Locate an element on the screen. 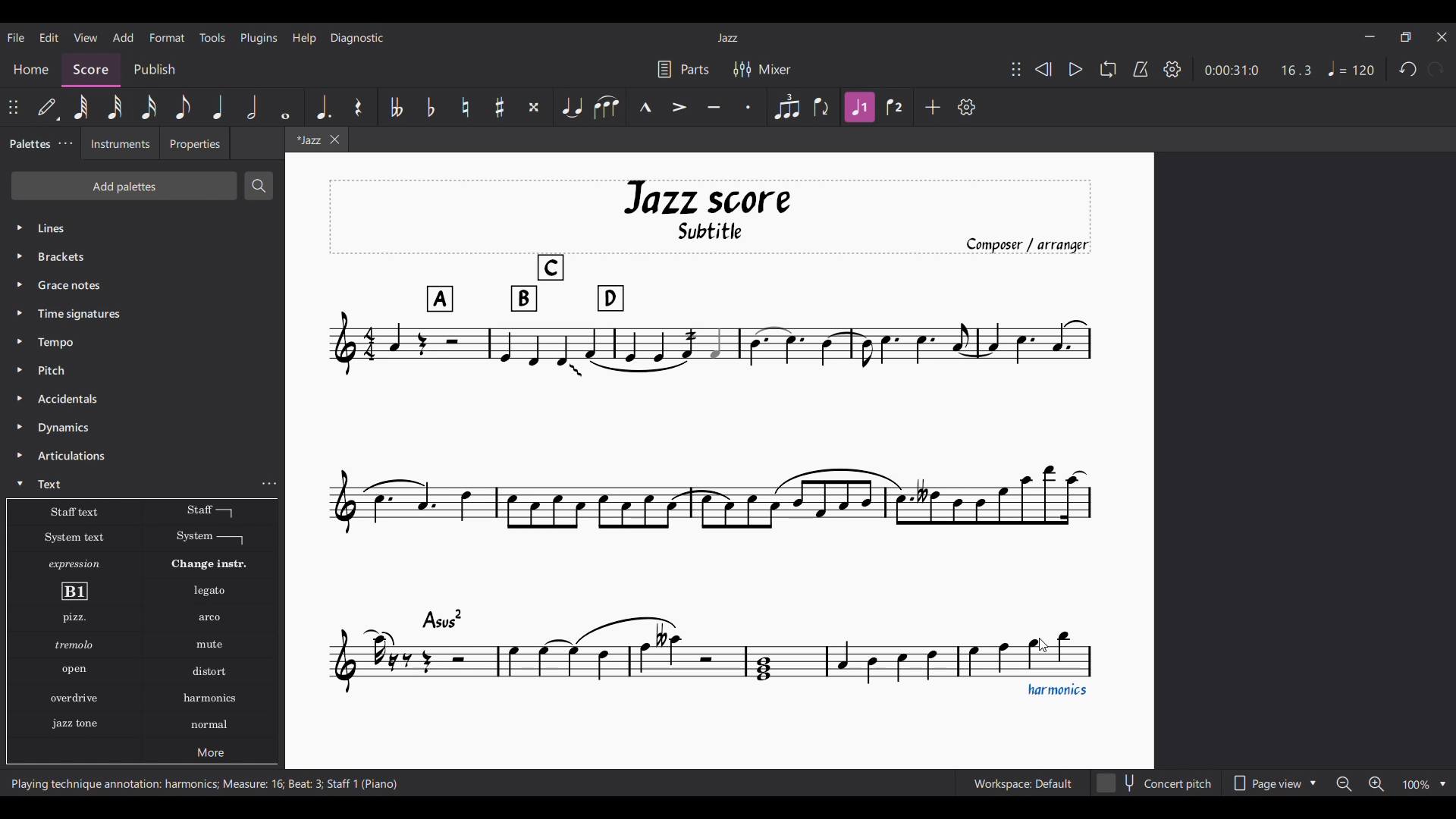 This screenshot has width=1456, height=819. Add is located at coordinates (933, 107).